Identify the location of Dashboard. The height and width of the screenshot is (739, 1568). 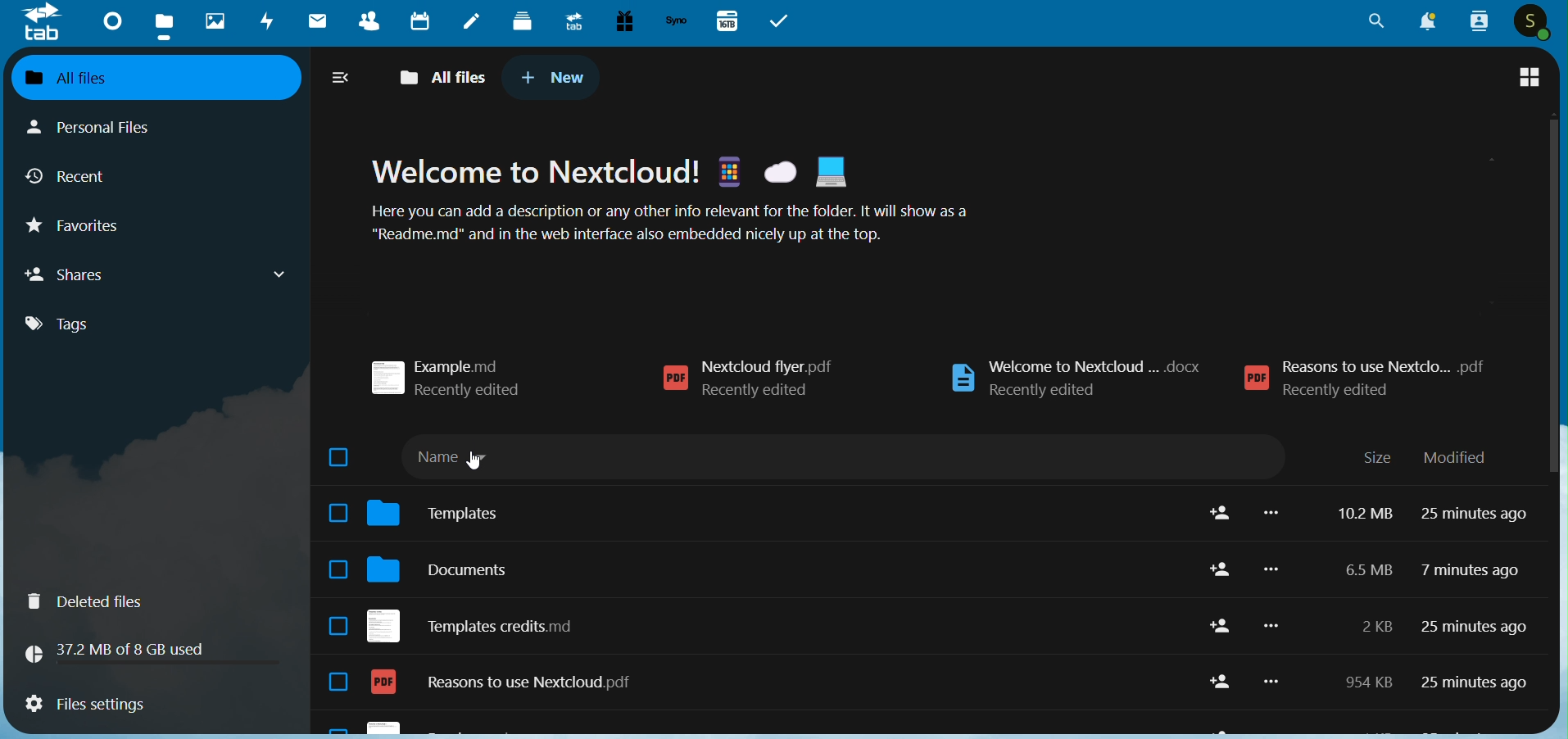
(112, 21).